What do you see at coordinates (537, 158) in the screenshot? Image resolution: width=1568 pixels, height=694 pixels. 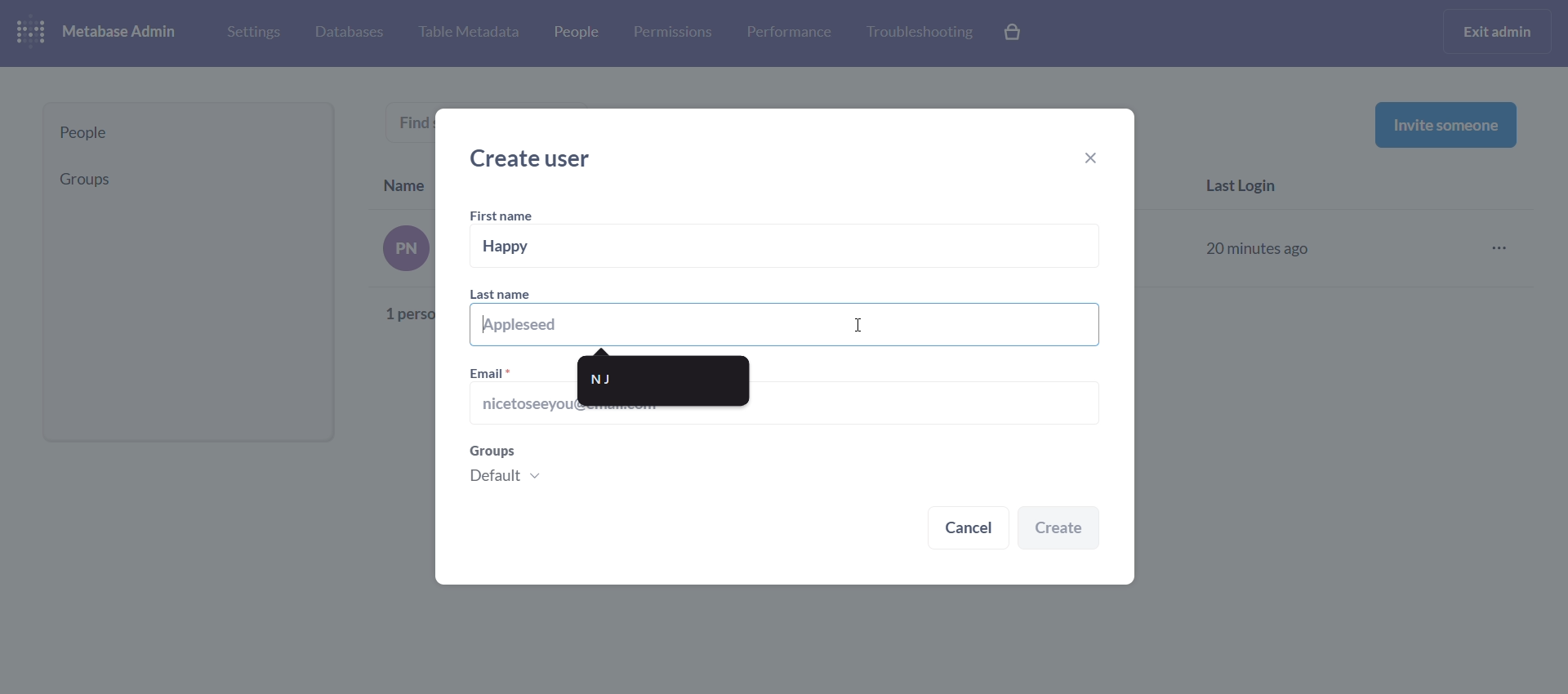 I see `create user` at bounding box center [537, 158].